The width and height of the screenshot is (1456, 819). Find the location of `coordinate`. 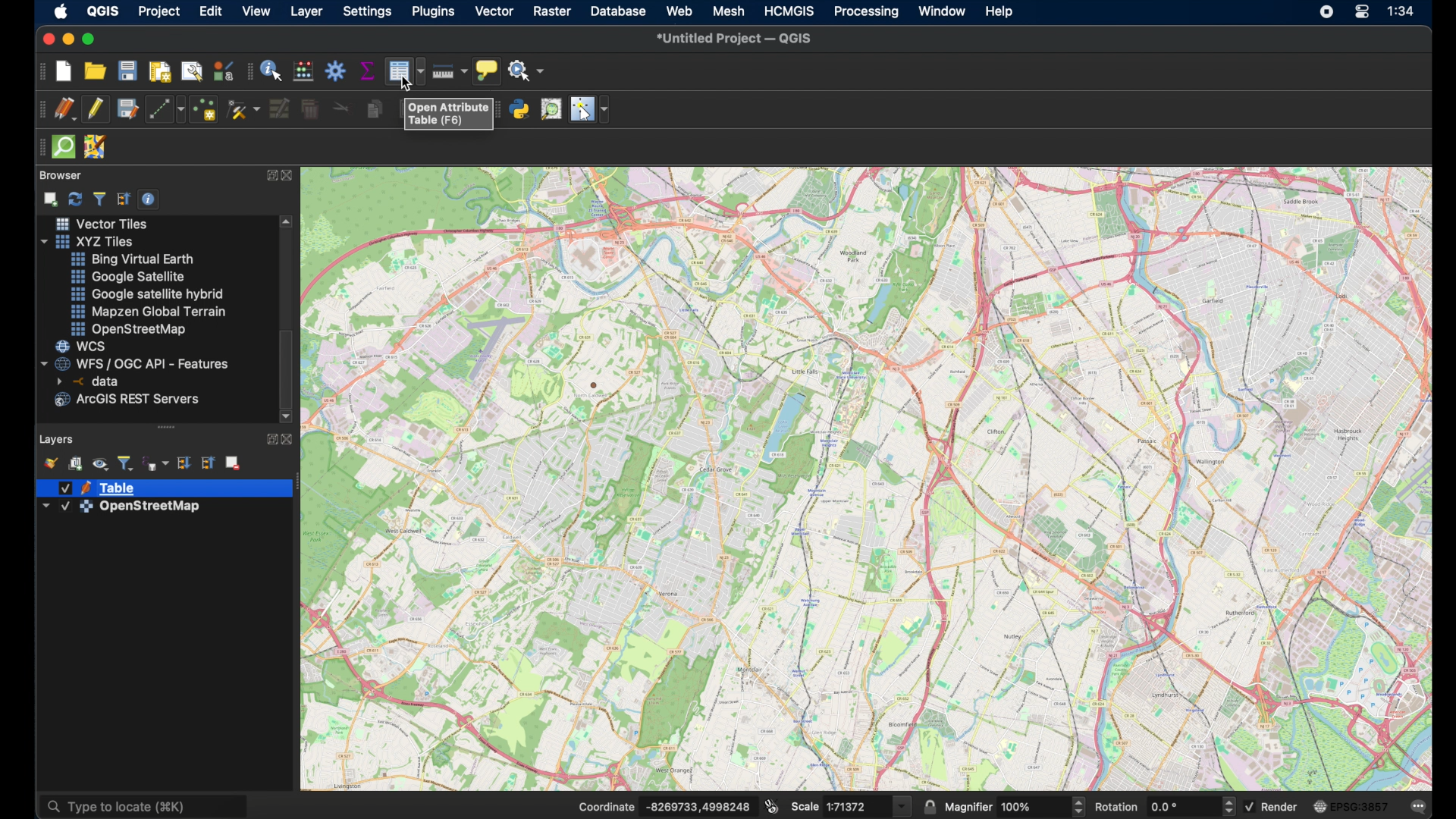

coordinate is located at coordinates (604, 805).